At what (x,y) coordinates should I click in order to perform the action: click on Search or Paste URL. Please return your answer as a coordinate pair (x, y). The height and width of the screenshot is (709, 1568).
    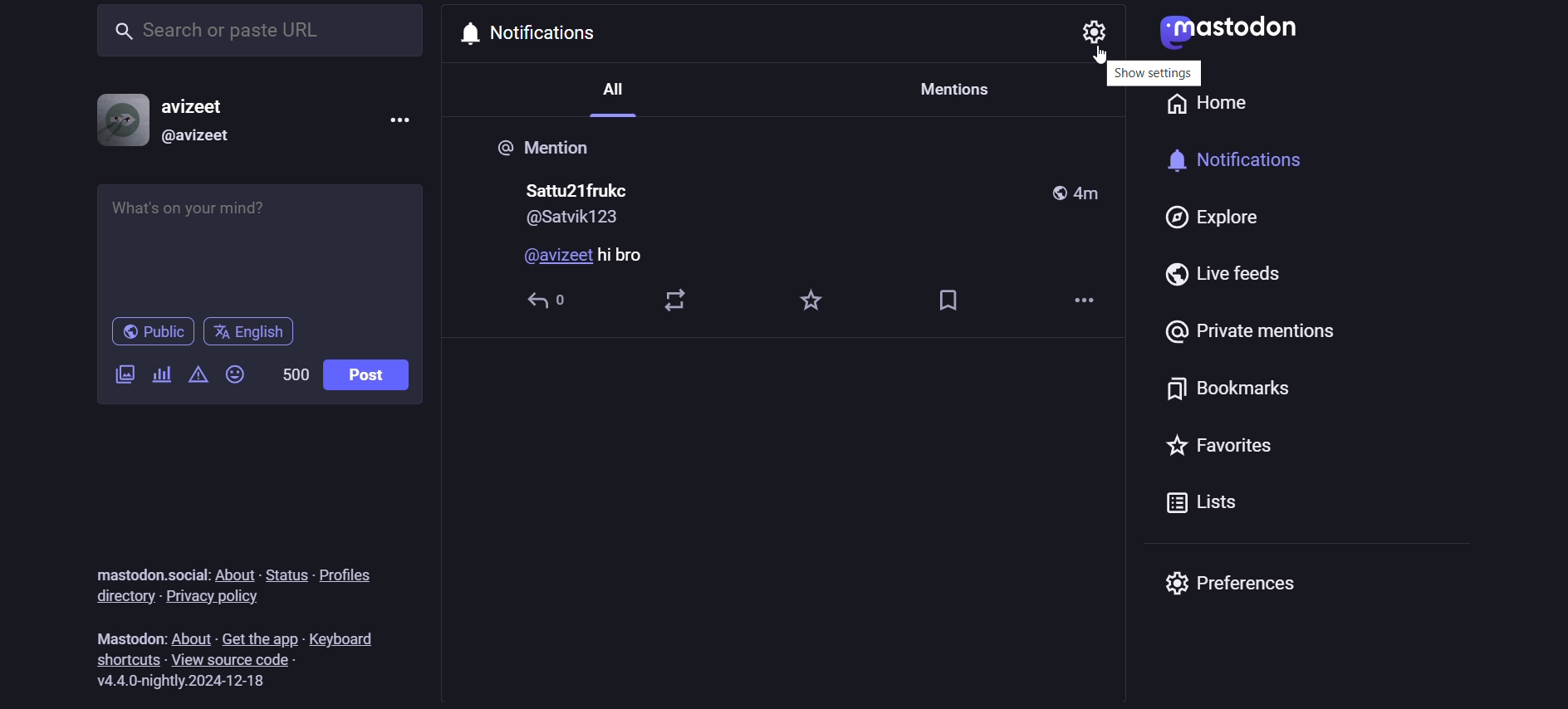
    Looking at the image, I should click on (257, 29).